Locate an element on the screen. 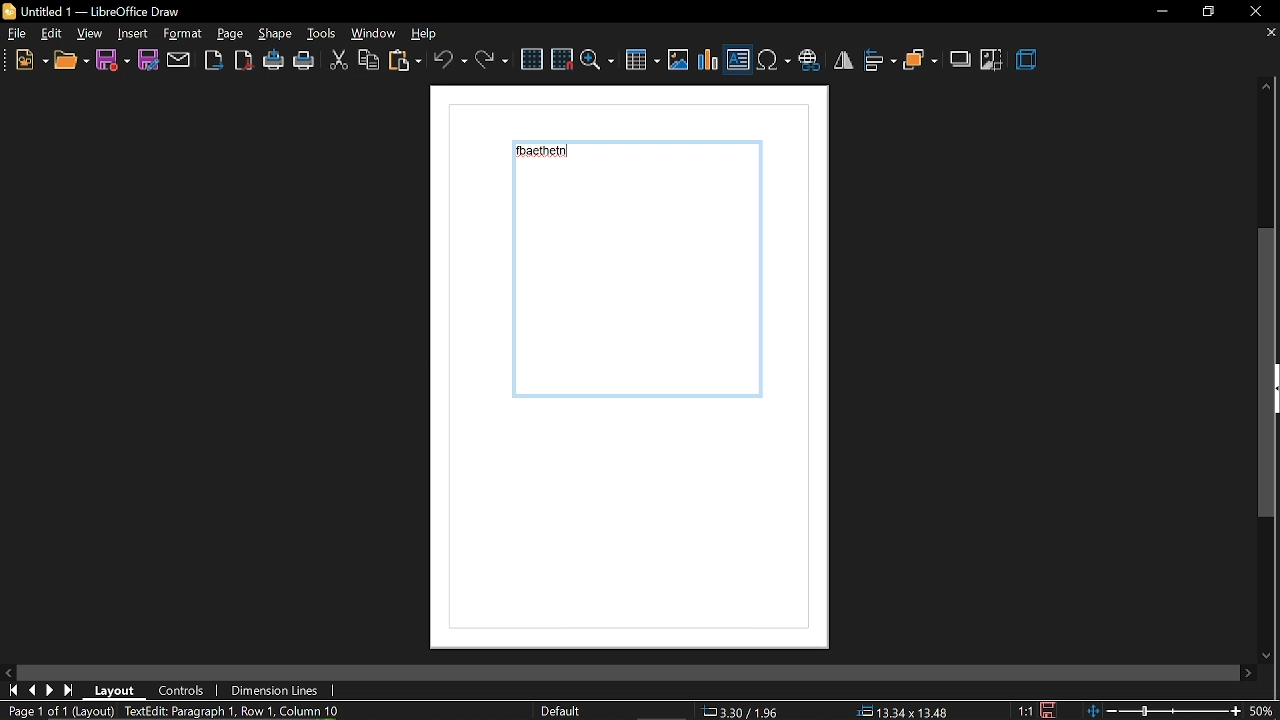  Current page is located at coordinates (642, 279).